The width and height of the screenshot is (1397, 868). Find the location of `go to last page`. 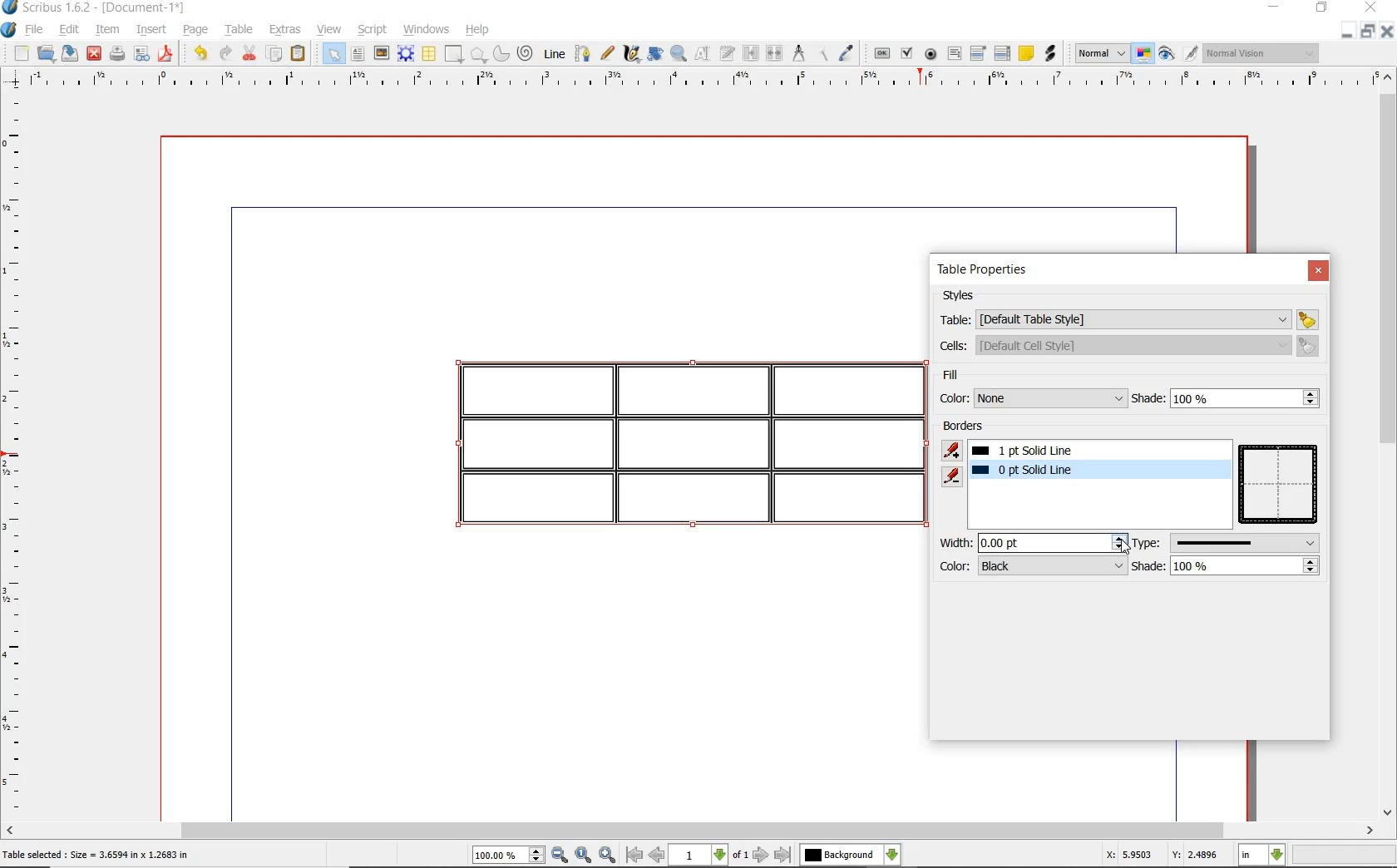

go to last page is located at coordinates (784, 854).